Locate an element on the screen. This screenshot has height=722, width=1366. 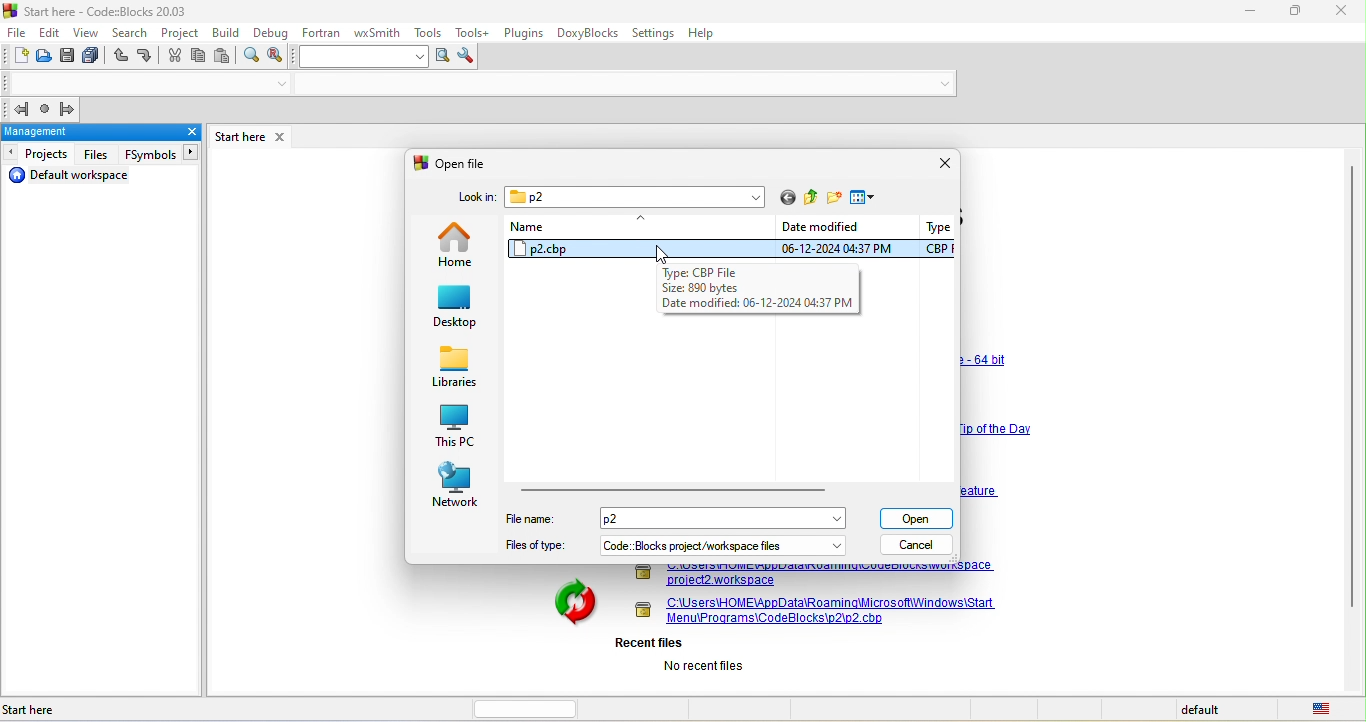
minimize is located at coordinates (1239, 11).